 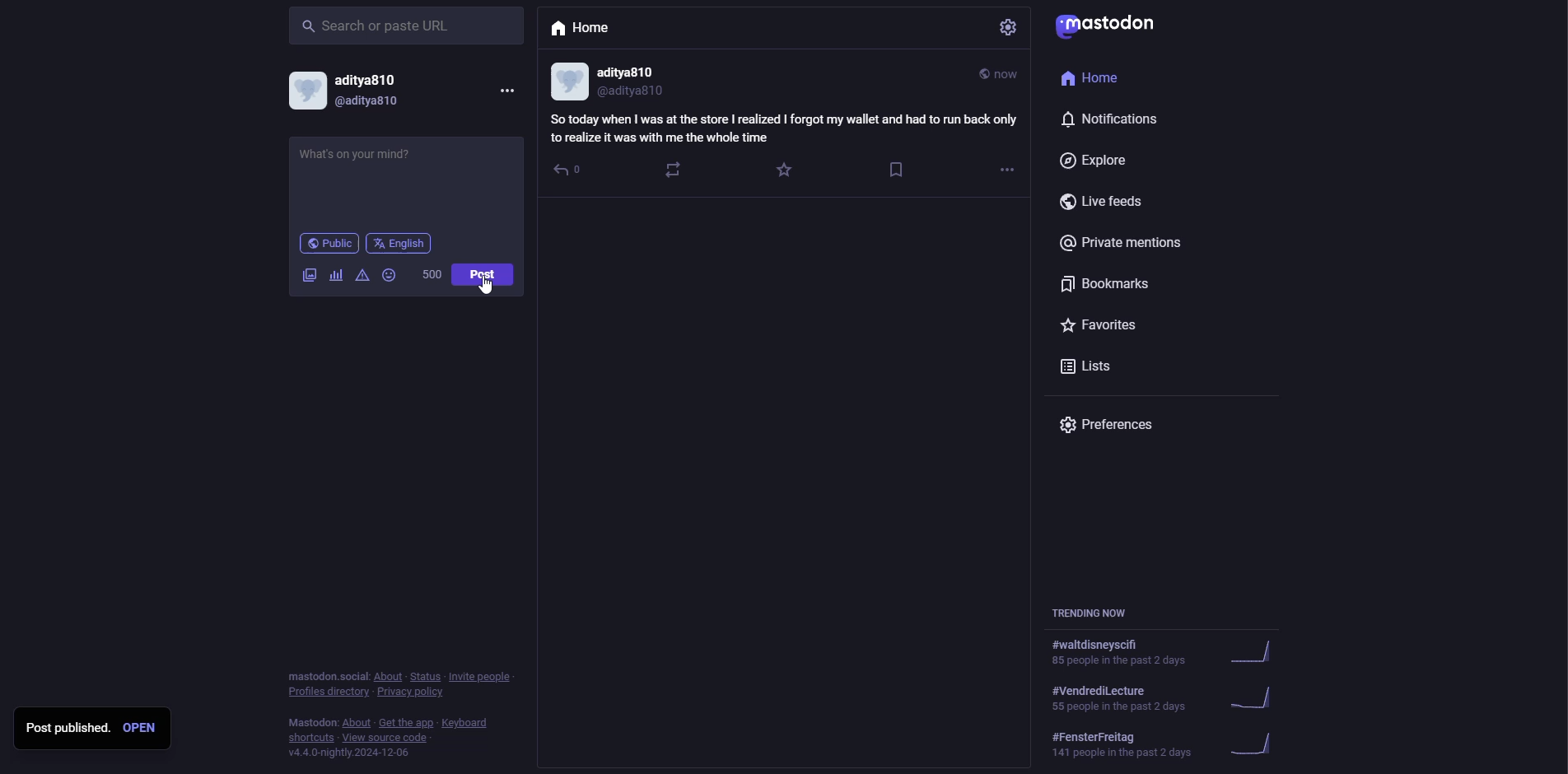 What do you see at coordinates (898, 172) in the screenshot?
I see `bookmark` at bounding box center [898, 172].